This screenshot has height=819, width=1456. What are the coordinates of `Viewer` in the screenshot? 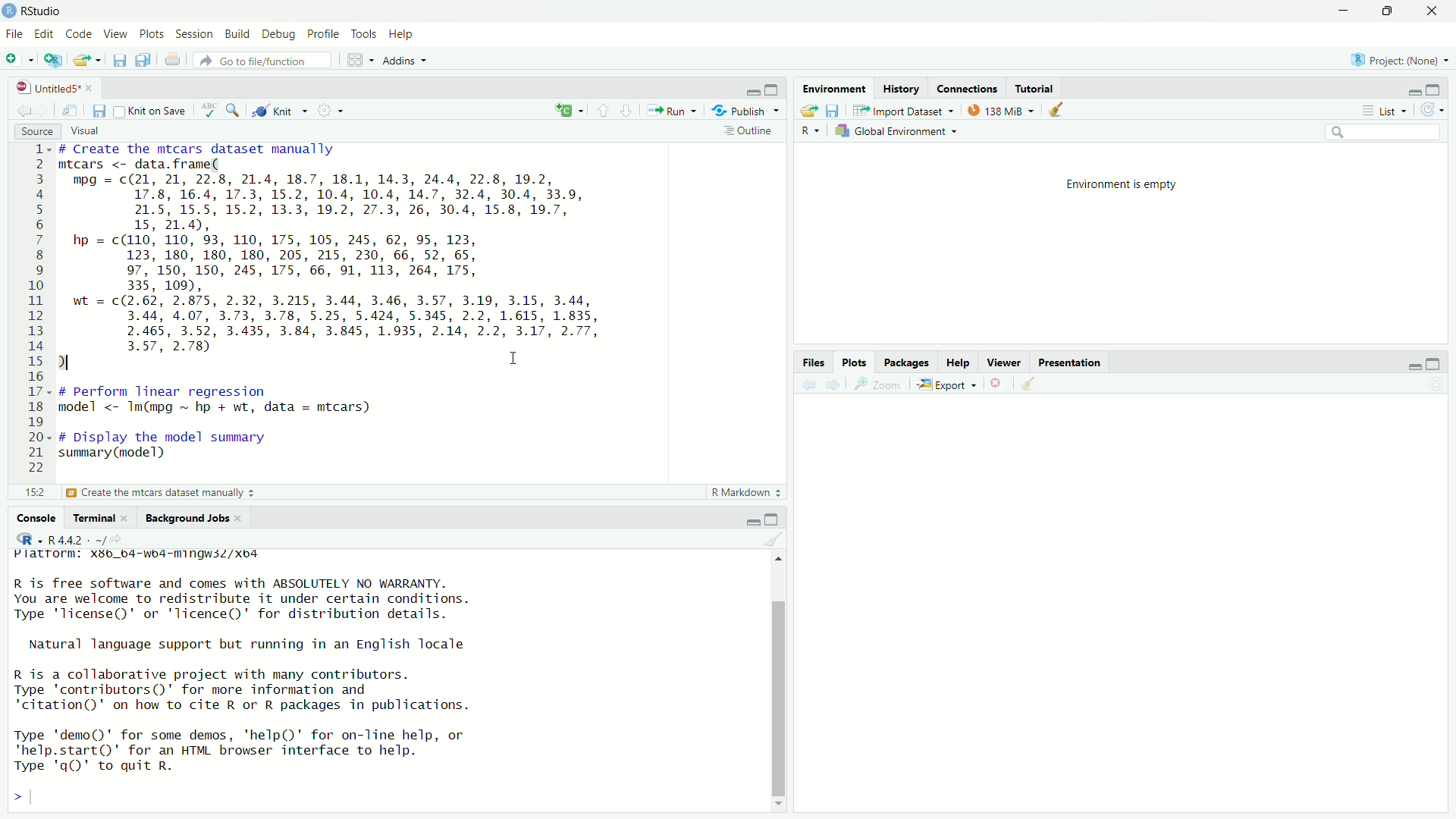 It's located at (1007, 363).